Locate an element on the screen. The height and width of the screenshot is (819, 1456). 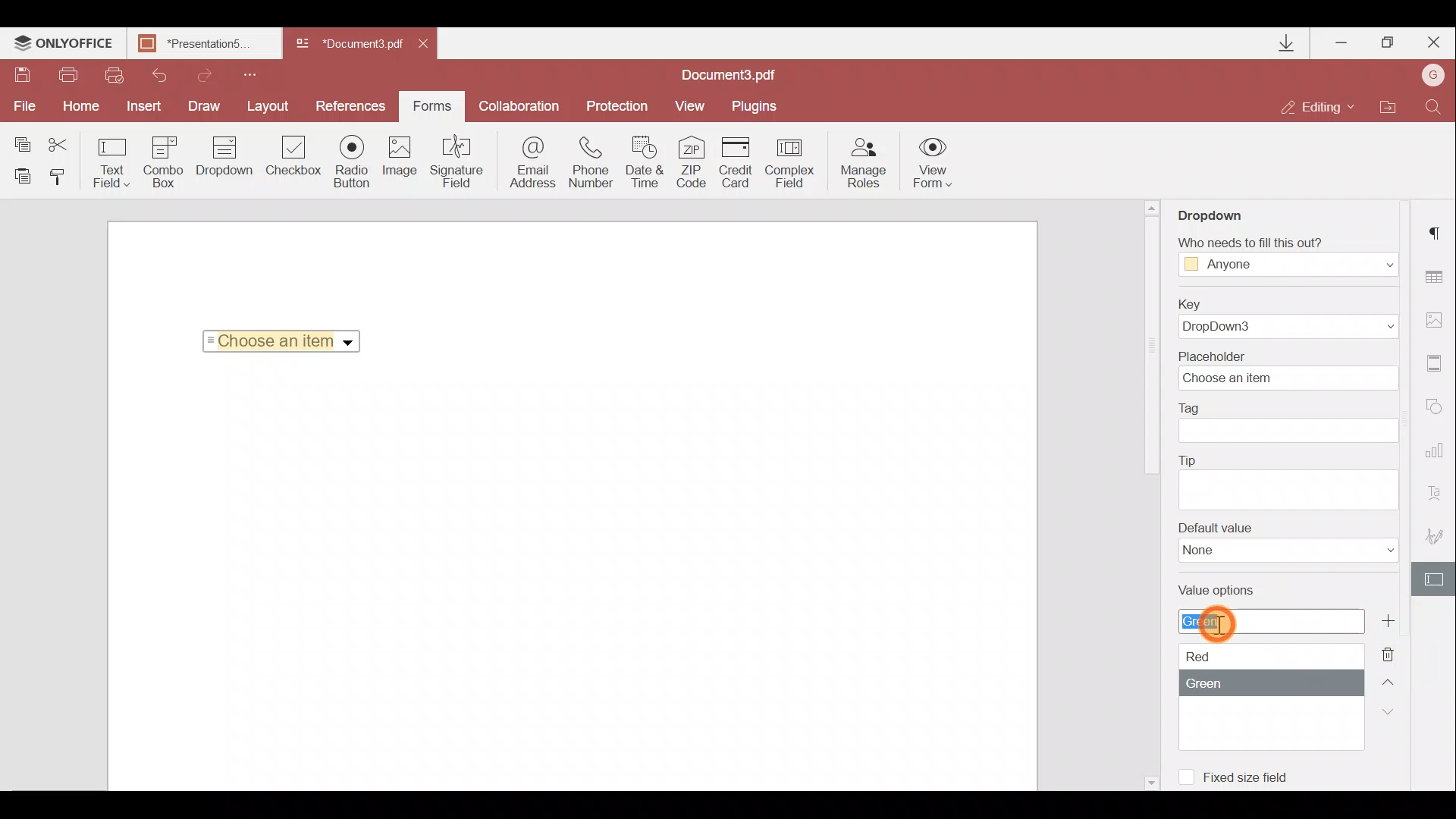
Fixed size field is located at coordinates (1255, 780).